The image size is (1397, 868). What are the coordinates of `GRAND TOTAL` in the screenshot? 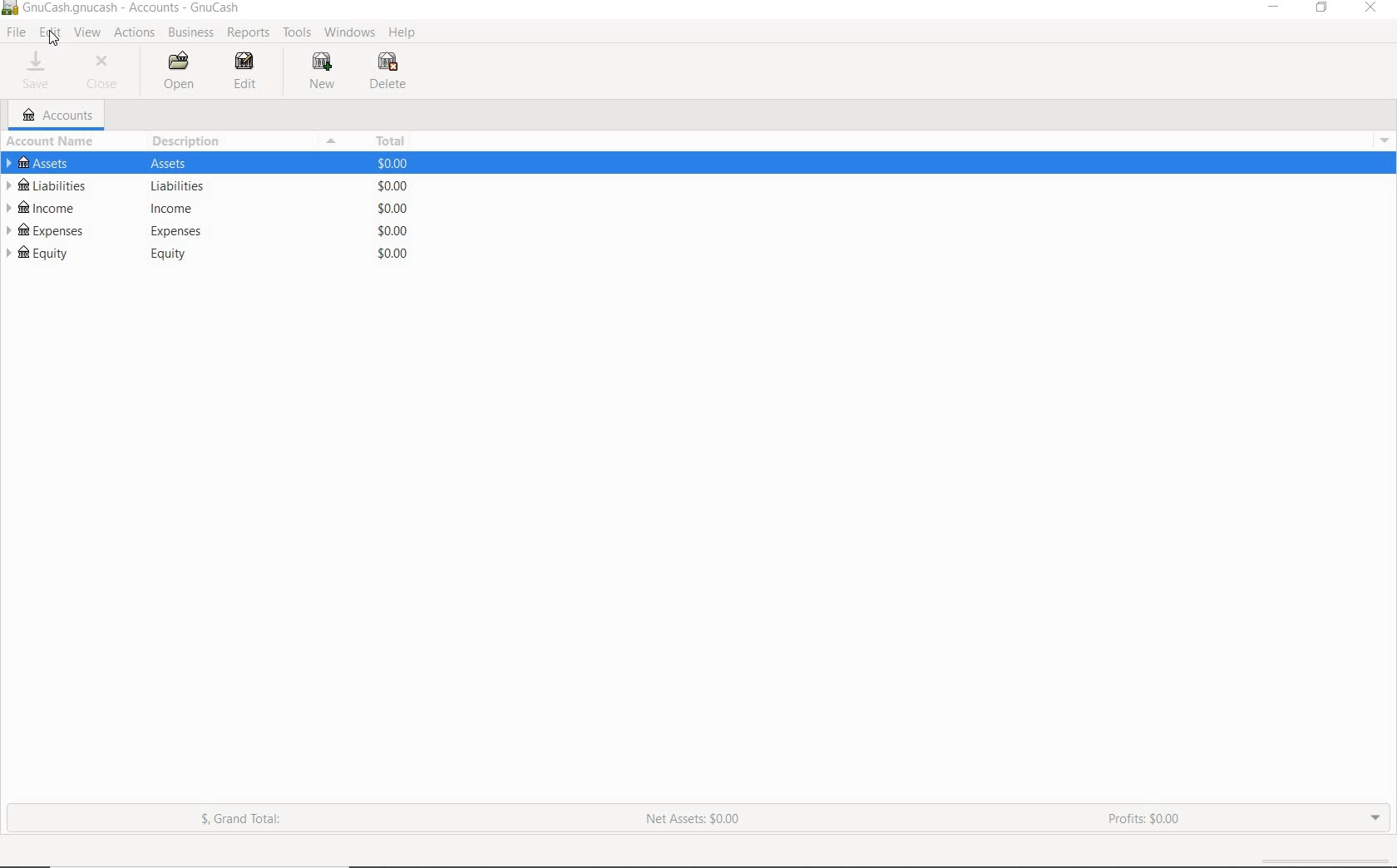 It's located at (241, 820).